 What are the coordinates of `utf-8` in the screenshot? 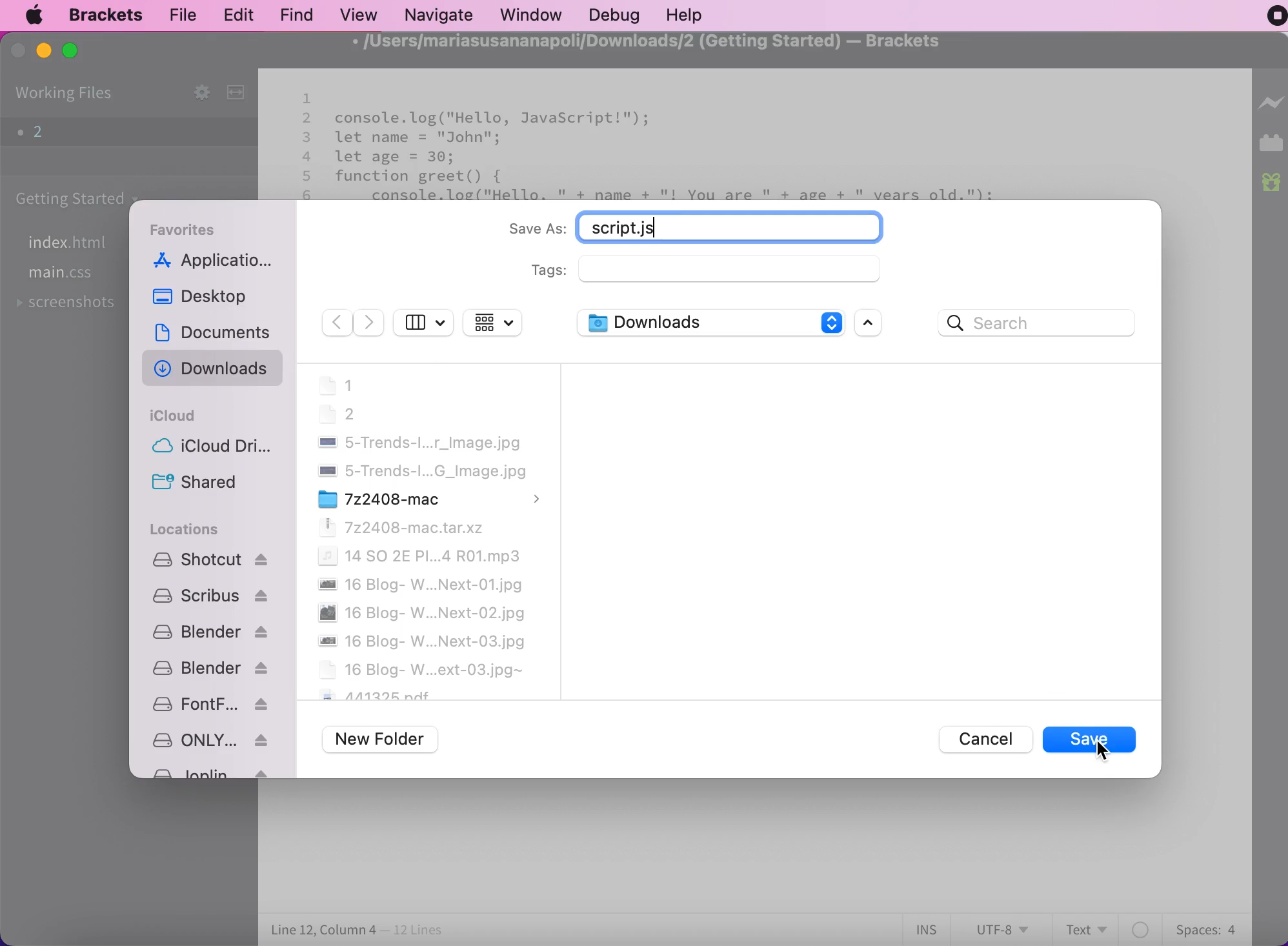 It's located at (1001, 929).